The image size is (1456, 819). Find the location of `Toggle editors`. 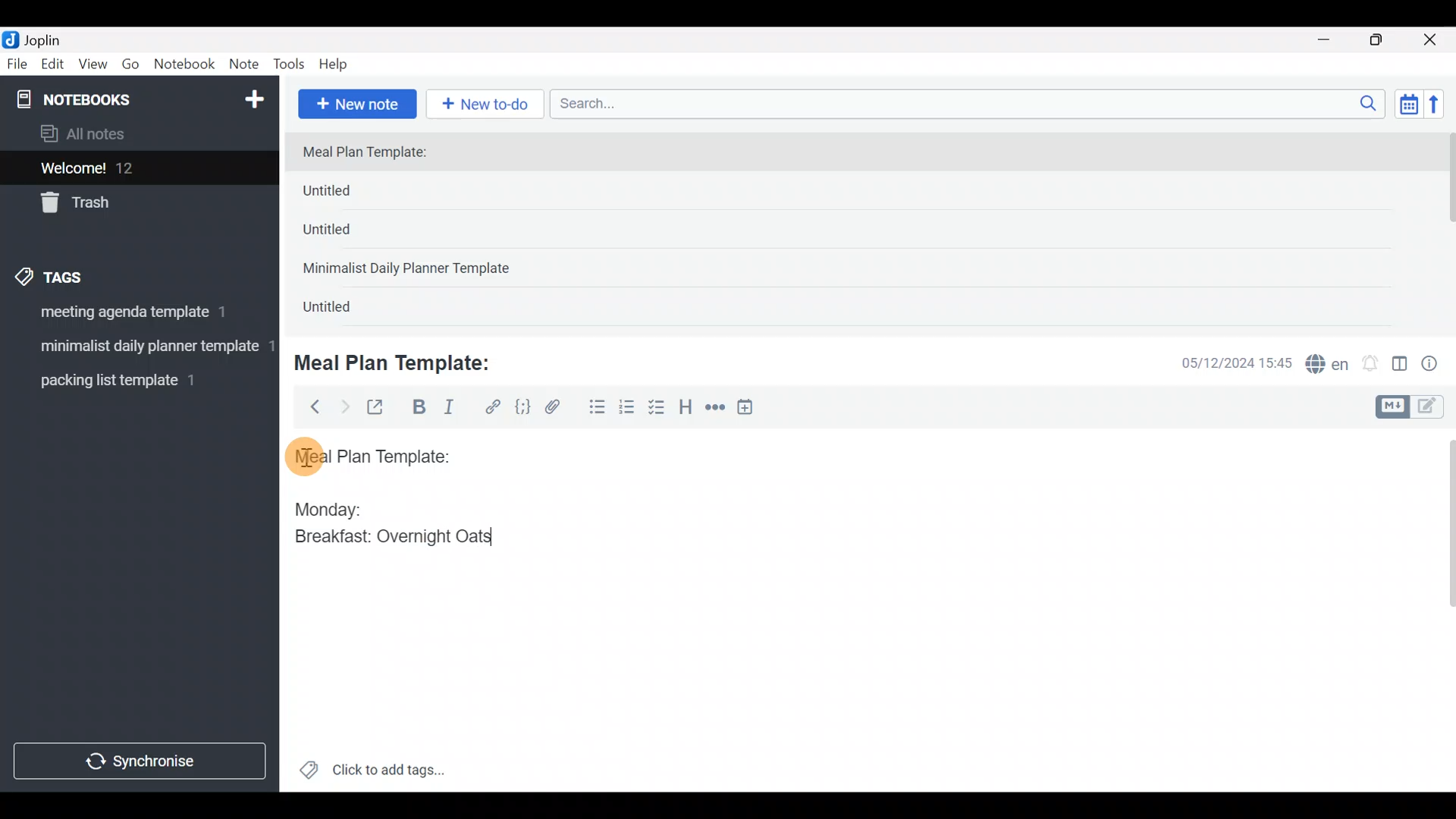

Toggle editors is located at coordinates (1414, 405).